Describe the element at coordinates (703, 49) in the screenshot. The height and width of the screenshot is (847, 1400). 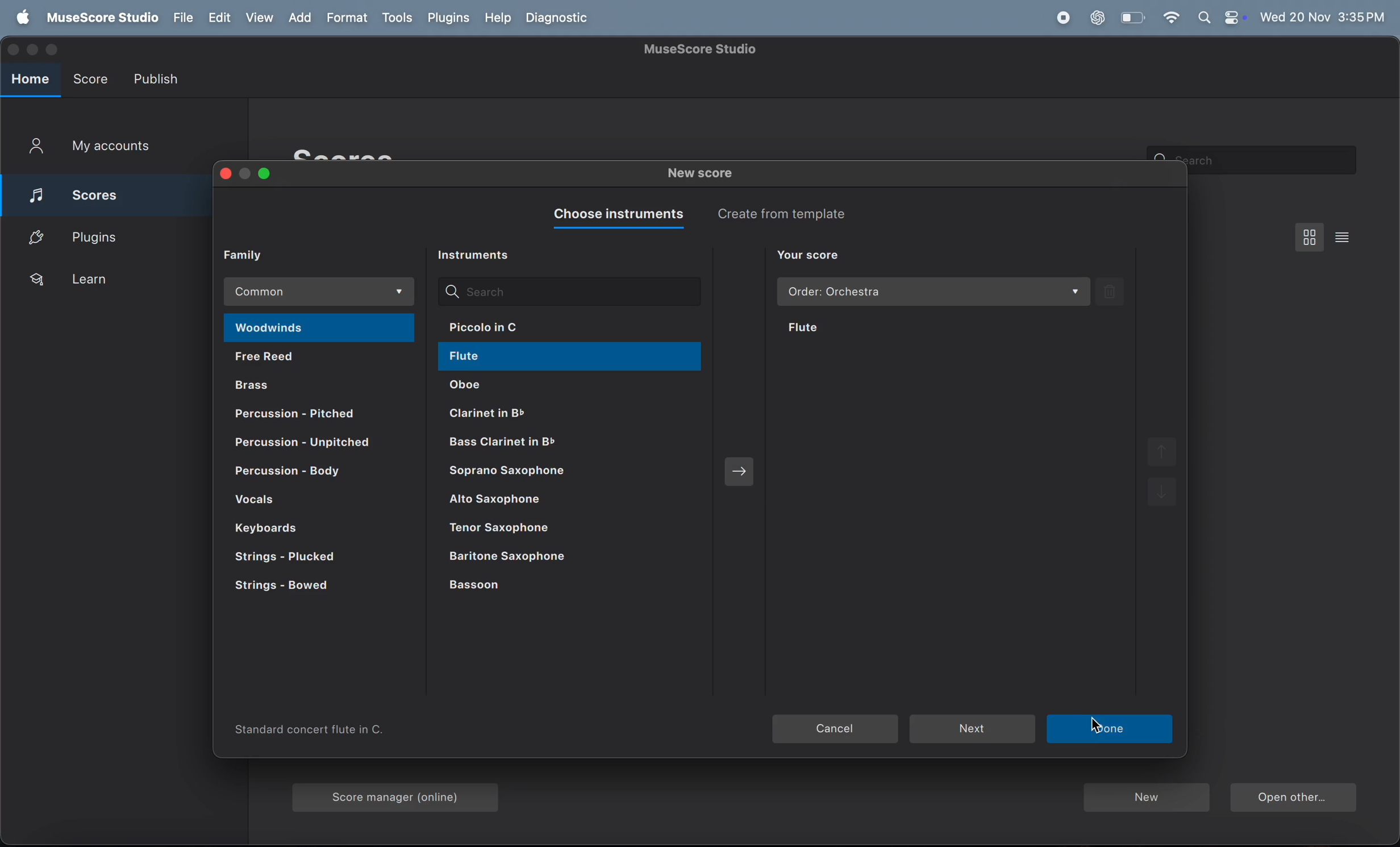
I see `page title` at that location.